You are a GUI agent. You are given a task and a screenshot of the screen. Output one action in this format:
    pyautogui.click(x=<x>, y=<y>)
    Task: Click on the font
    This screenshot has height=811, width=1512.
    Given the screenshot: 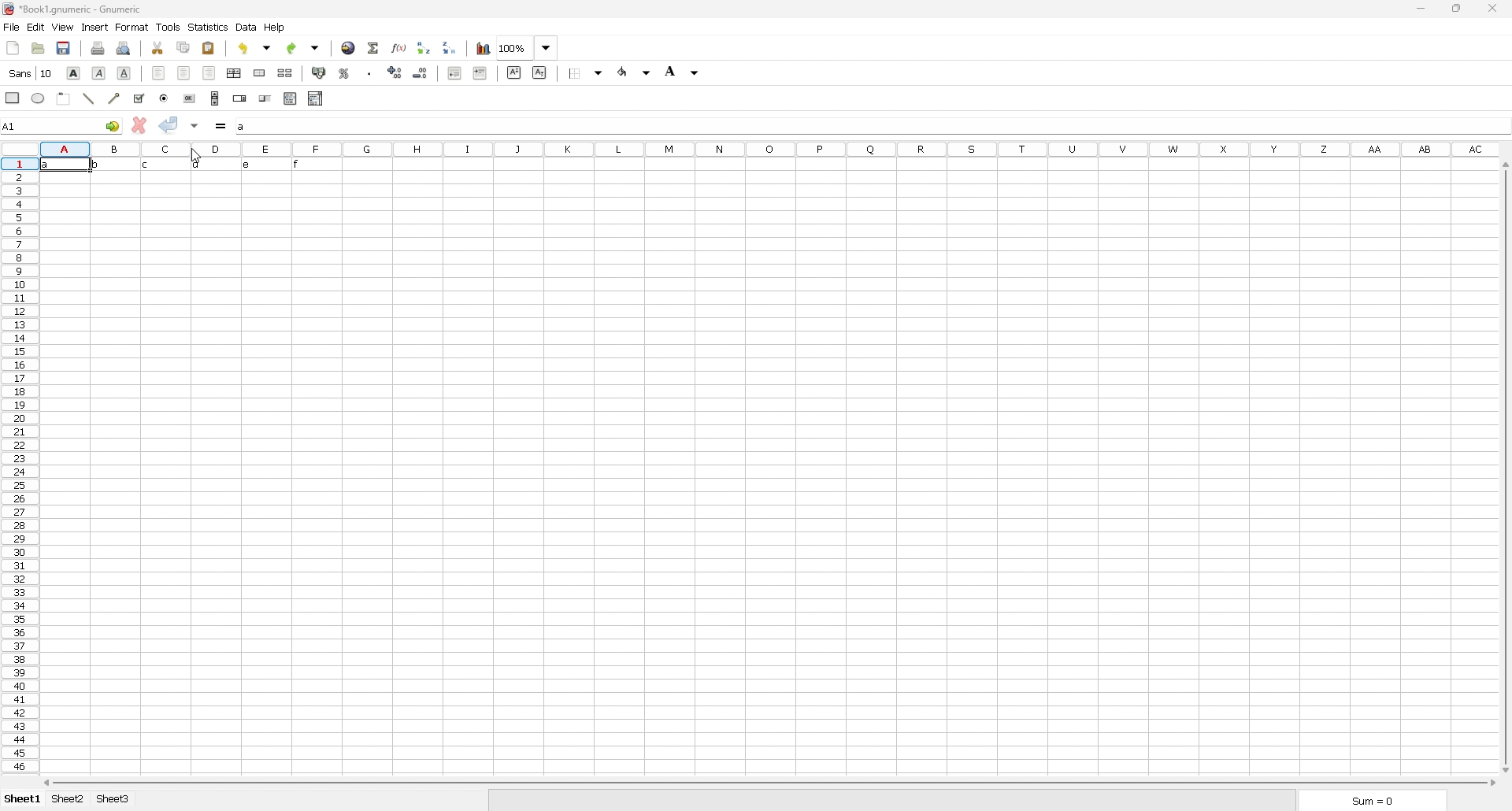 What is the action you would take?
    pyautogui.click(x=32, y=72)
    